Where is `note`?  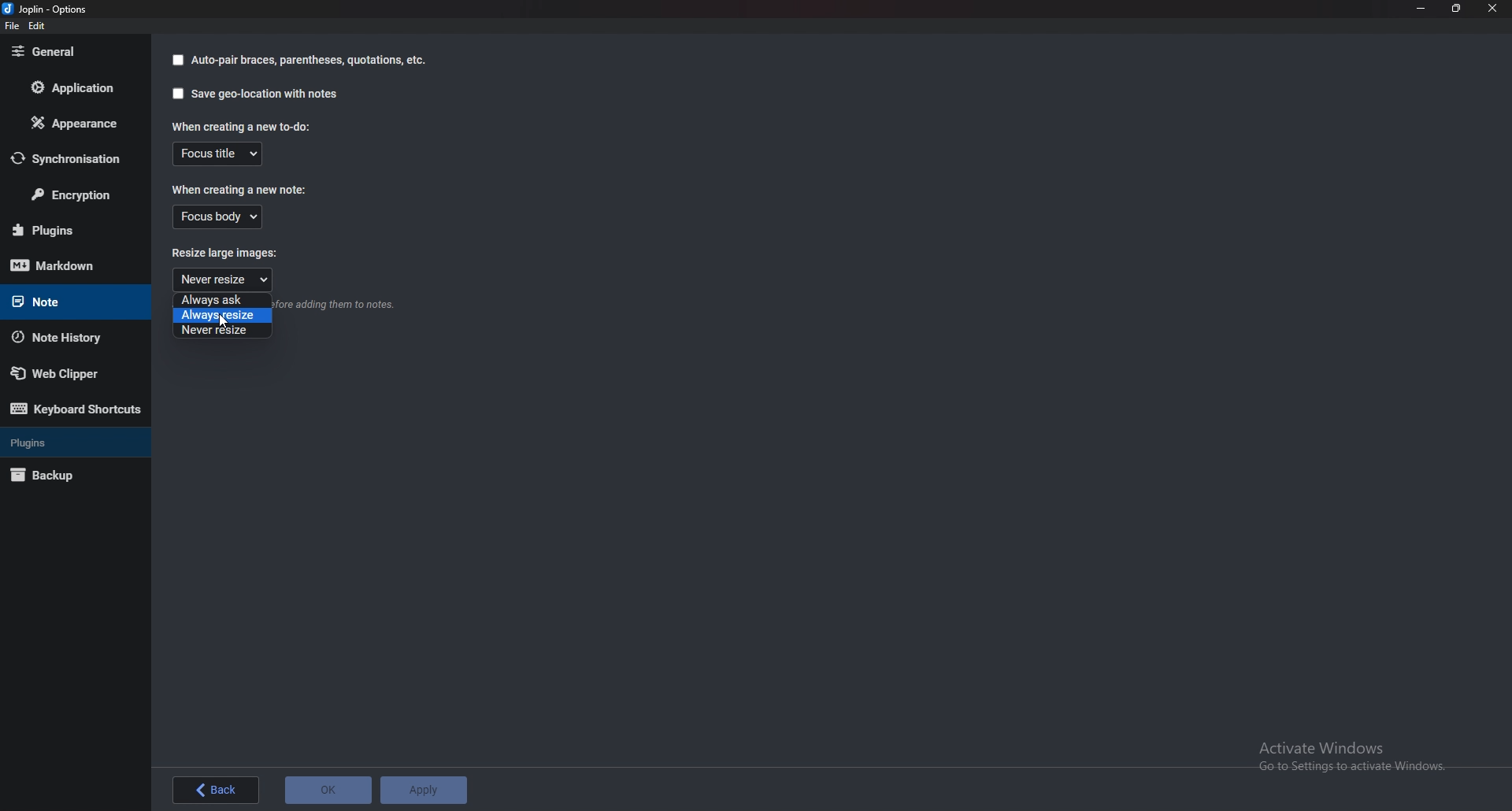 note is located at coordinates (64, 302).